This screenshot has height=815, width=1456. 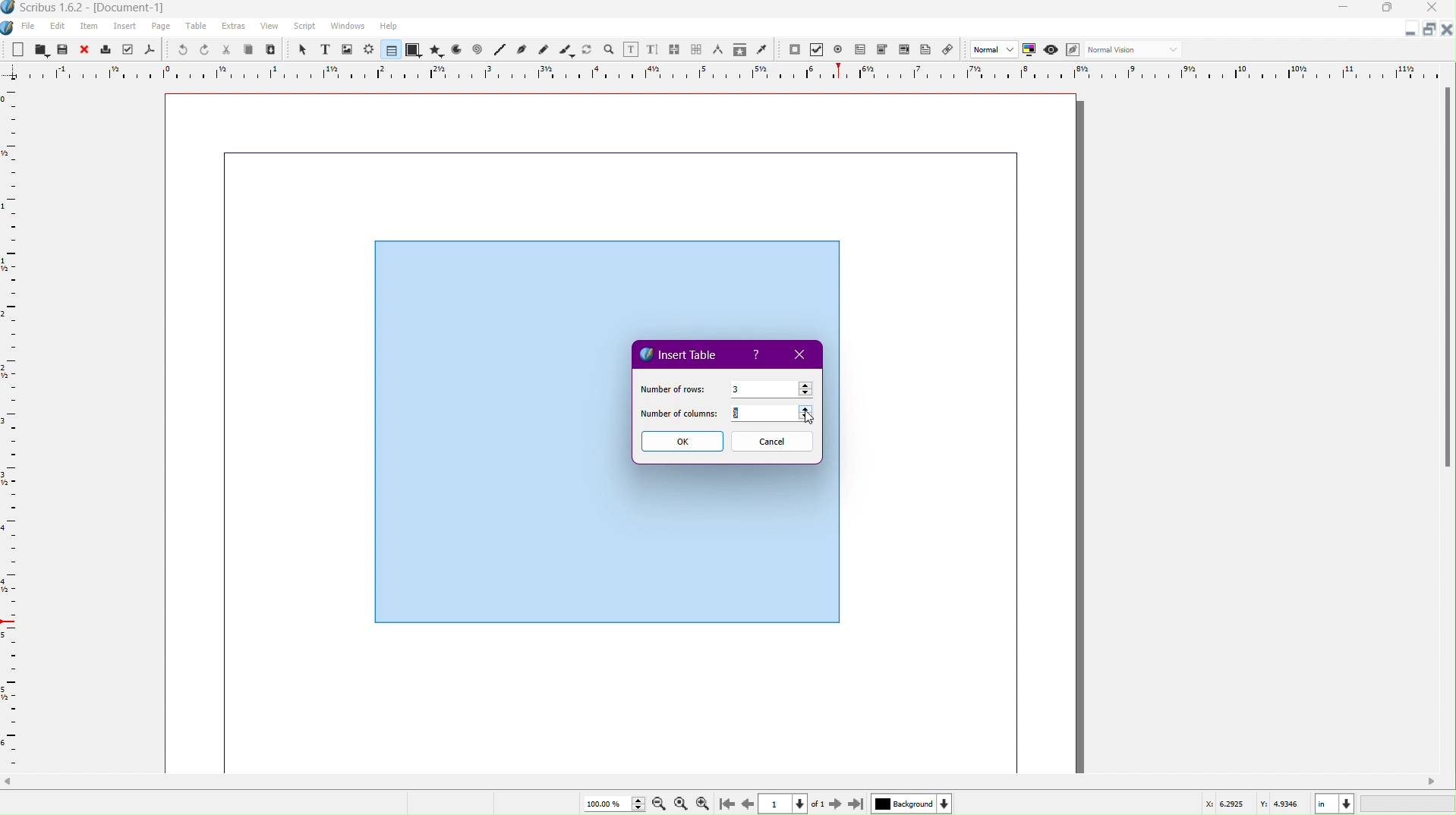 What do you see at coordinates (728, 71) in the screenshot?
I see `Ruler Line` at bounding box center [728, 71].